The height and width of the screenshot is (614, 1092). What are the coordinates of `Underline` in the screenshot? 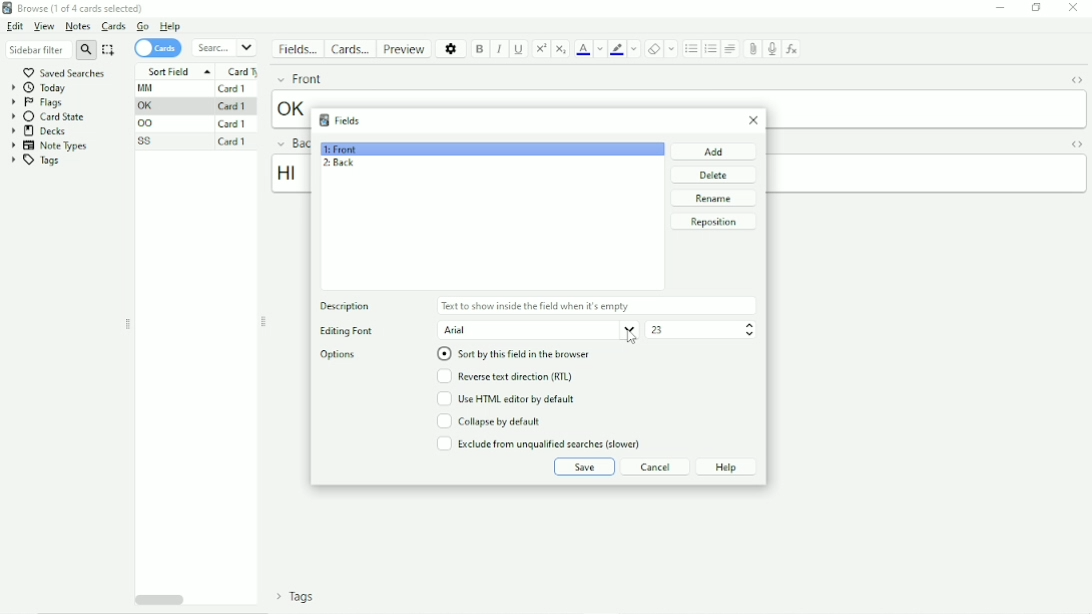 It's located at (520, 48).